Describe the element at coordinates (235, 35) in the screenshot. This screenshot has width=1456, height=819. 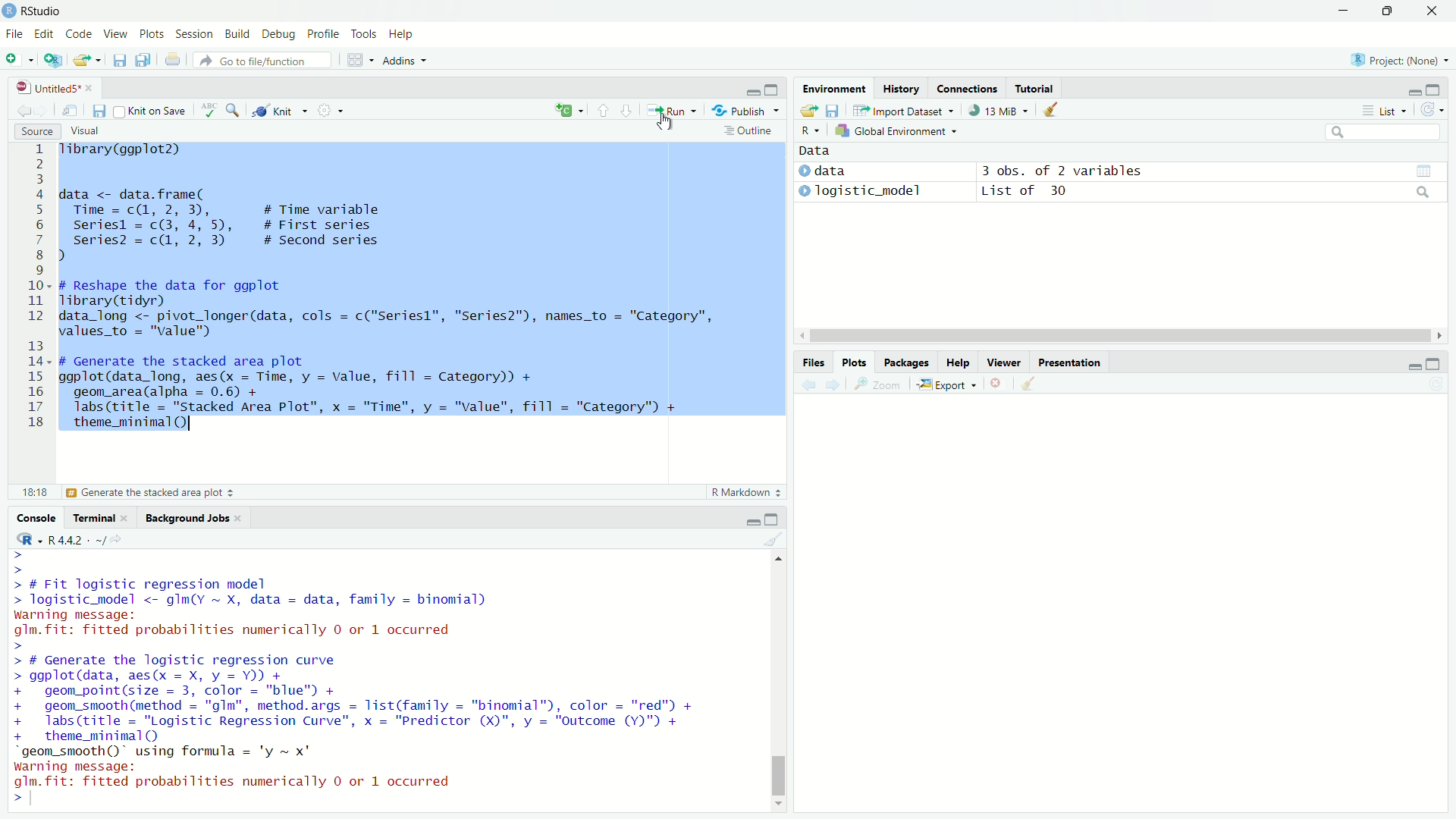
I see `Build` at that location.